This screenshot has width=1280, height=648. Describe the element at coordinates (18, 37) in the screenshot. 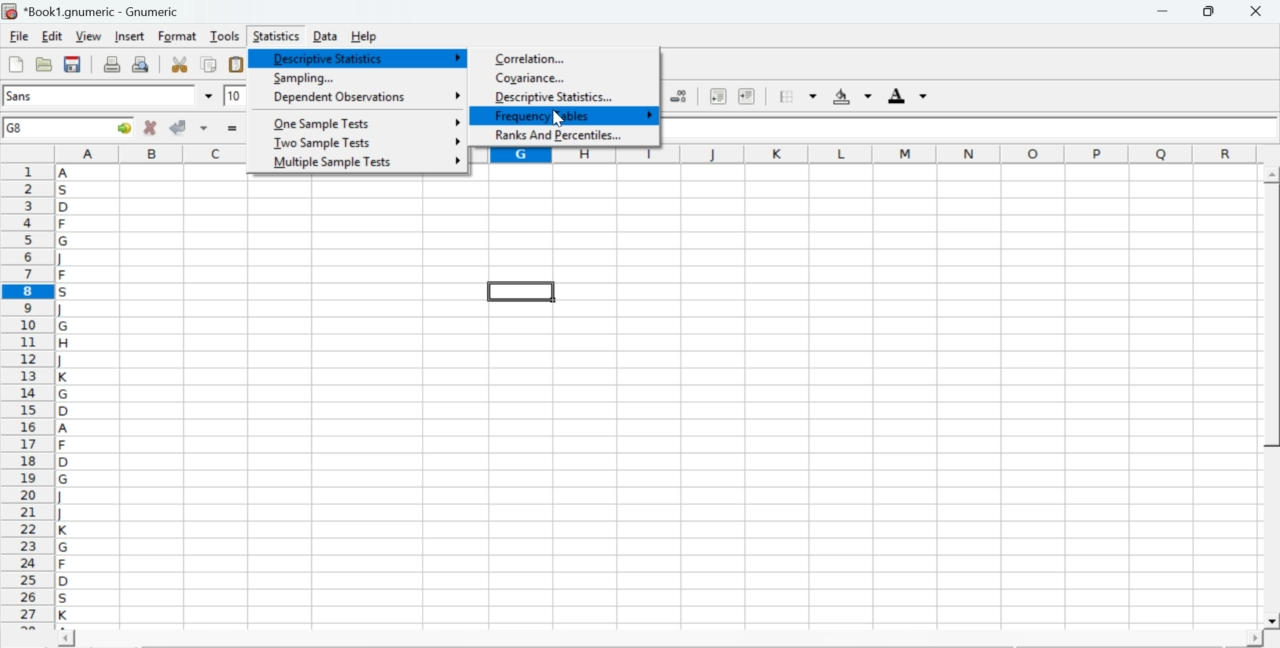

I see `file` at that location.